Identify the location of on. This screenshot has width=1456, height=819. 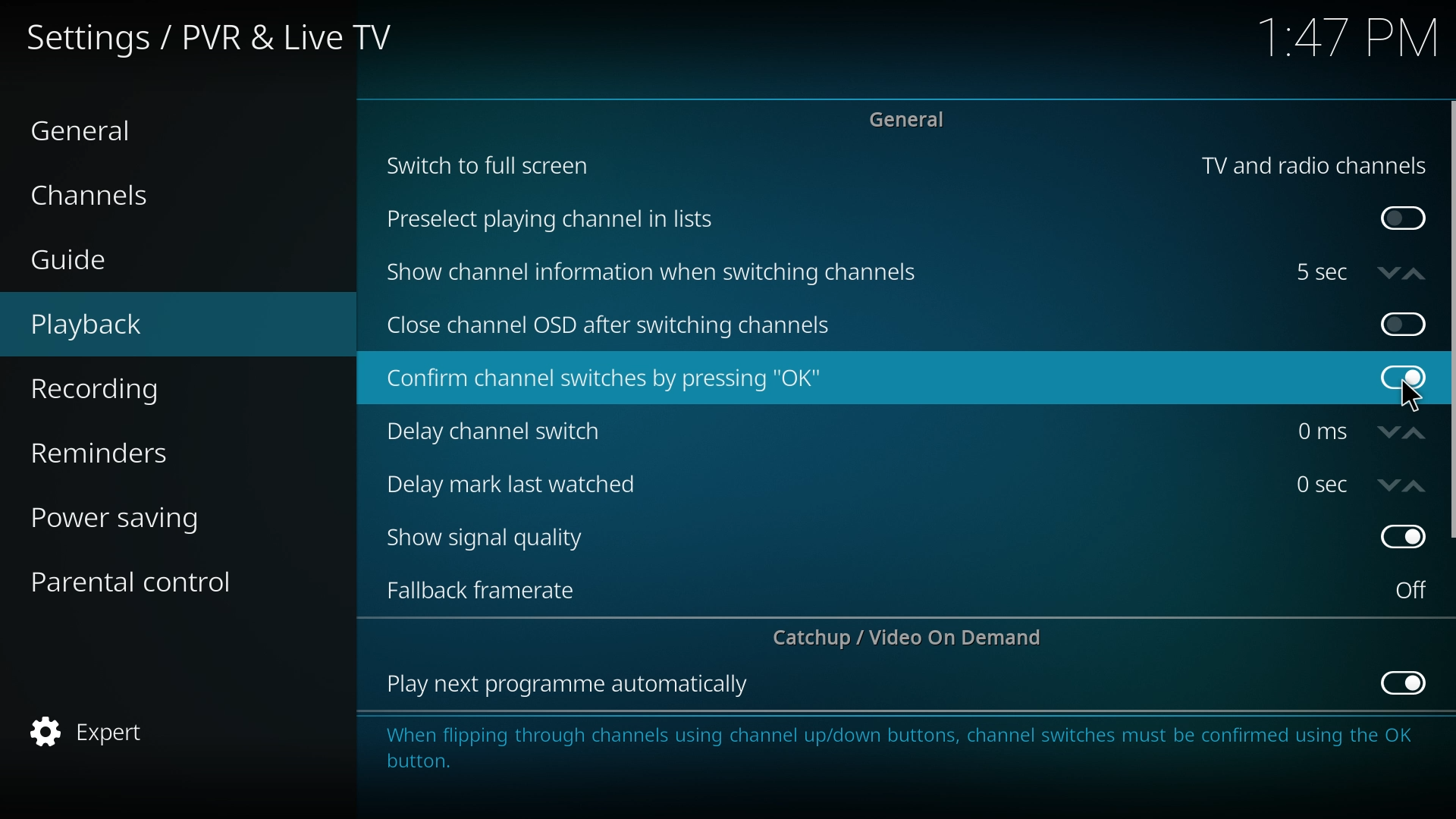
(1404, 322).